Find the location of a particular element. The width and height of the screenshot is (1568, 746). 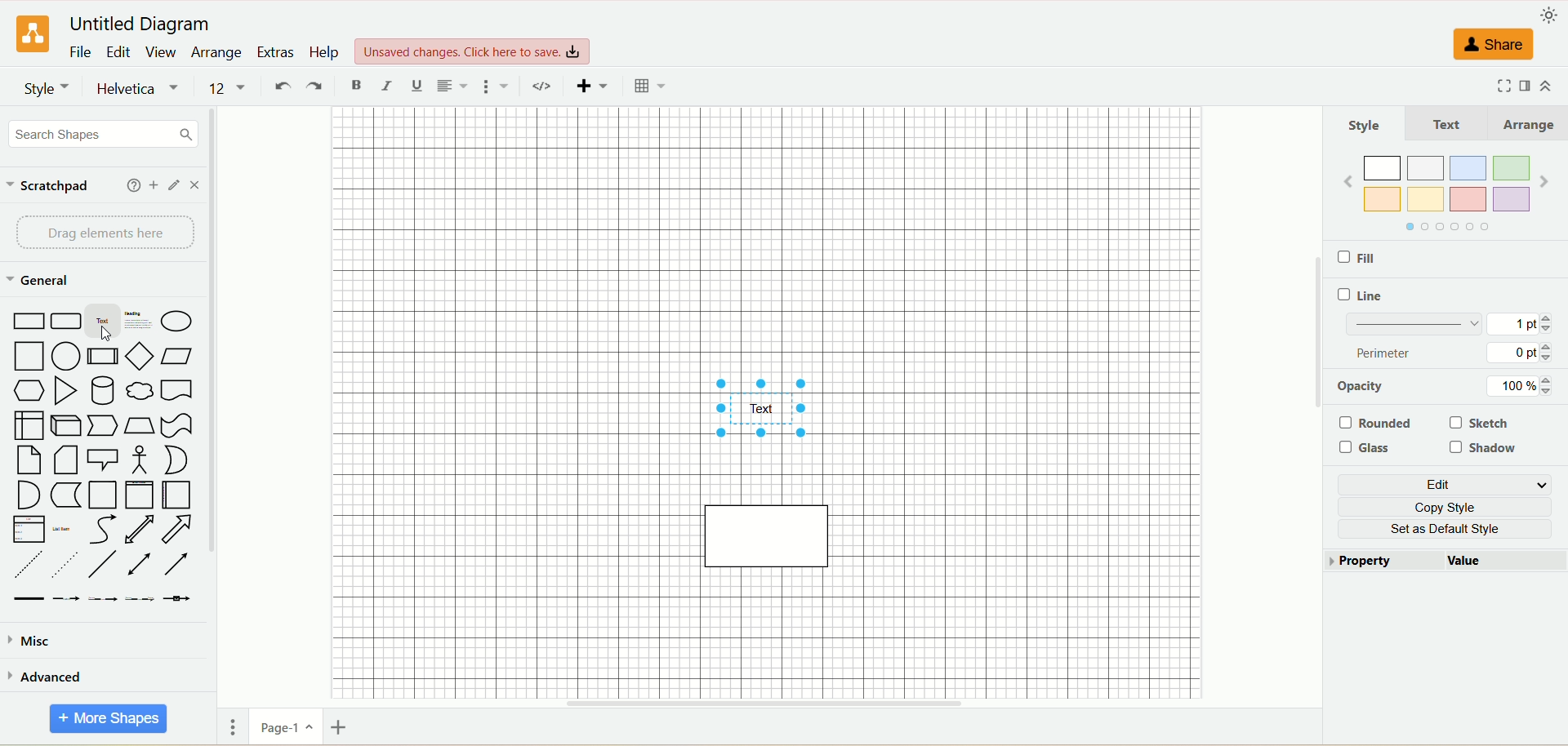

patterrn is located at coordinates (1444, 326).